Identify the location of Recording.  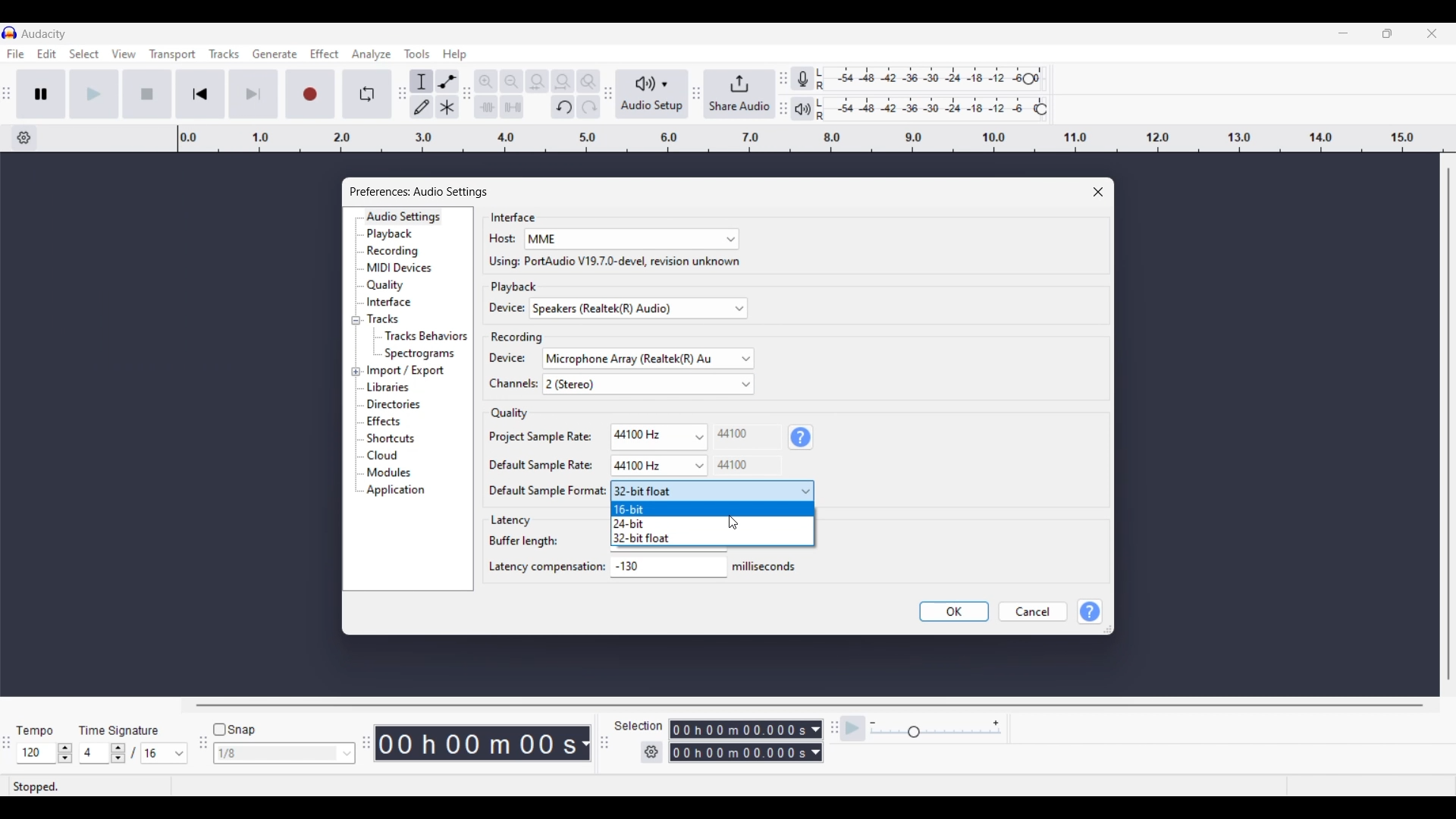
(405, 251).